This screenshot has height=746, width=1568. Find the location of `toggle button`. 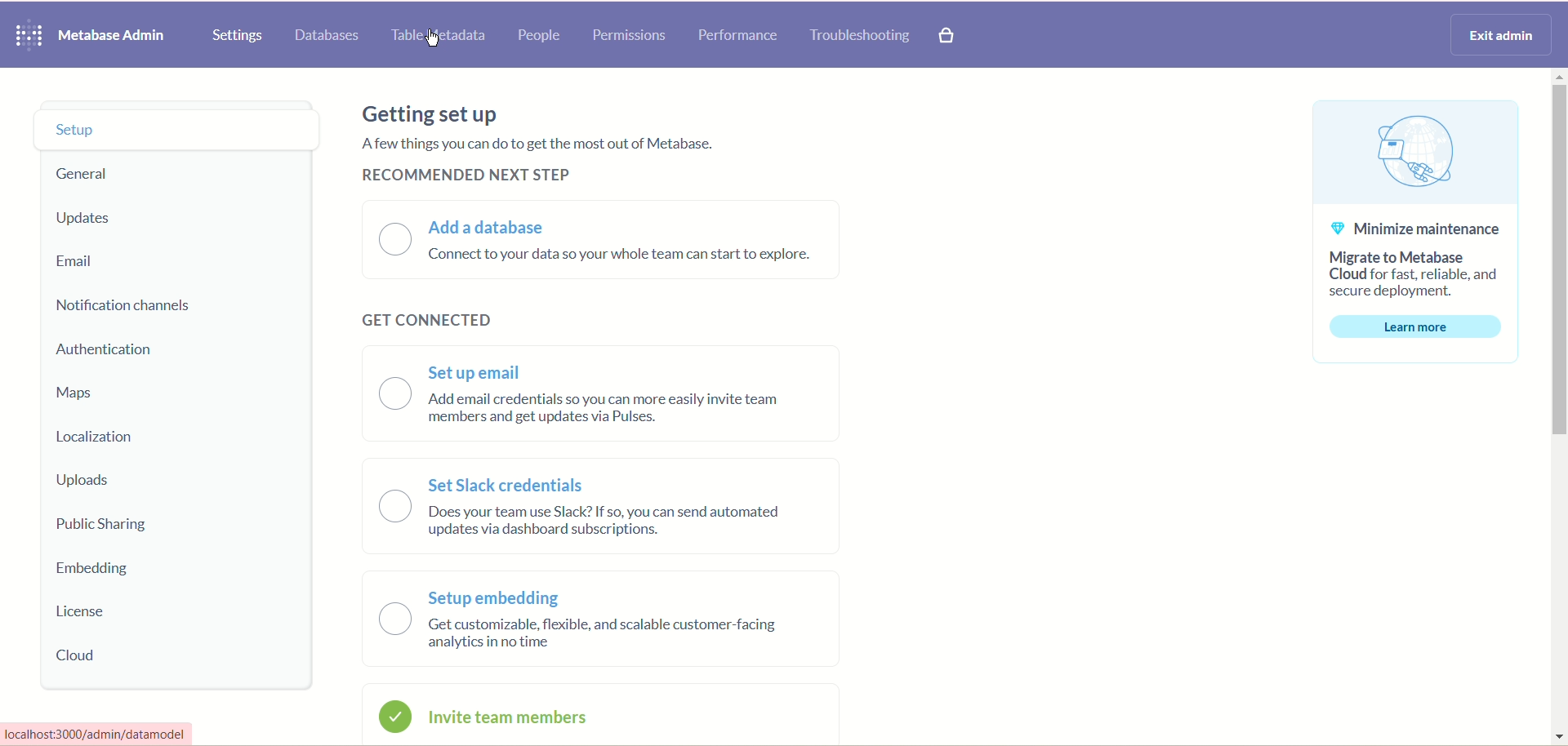

toggle button is located at coordinates (394, 548).